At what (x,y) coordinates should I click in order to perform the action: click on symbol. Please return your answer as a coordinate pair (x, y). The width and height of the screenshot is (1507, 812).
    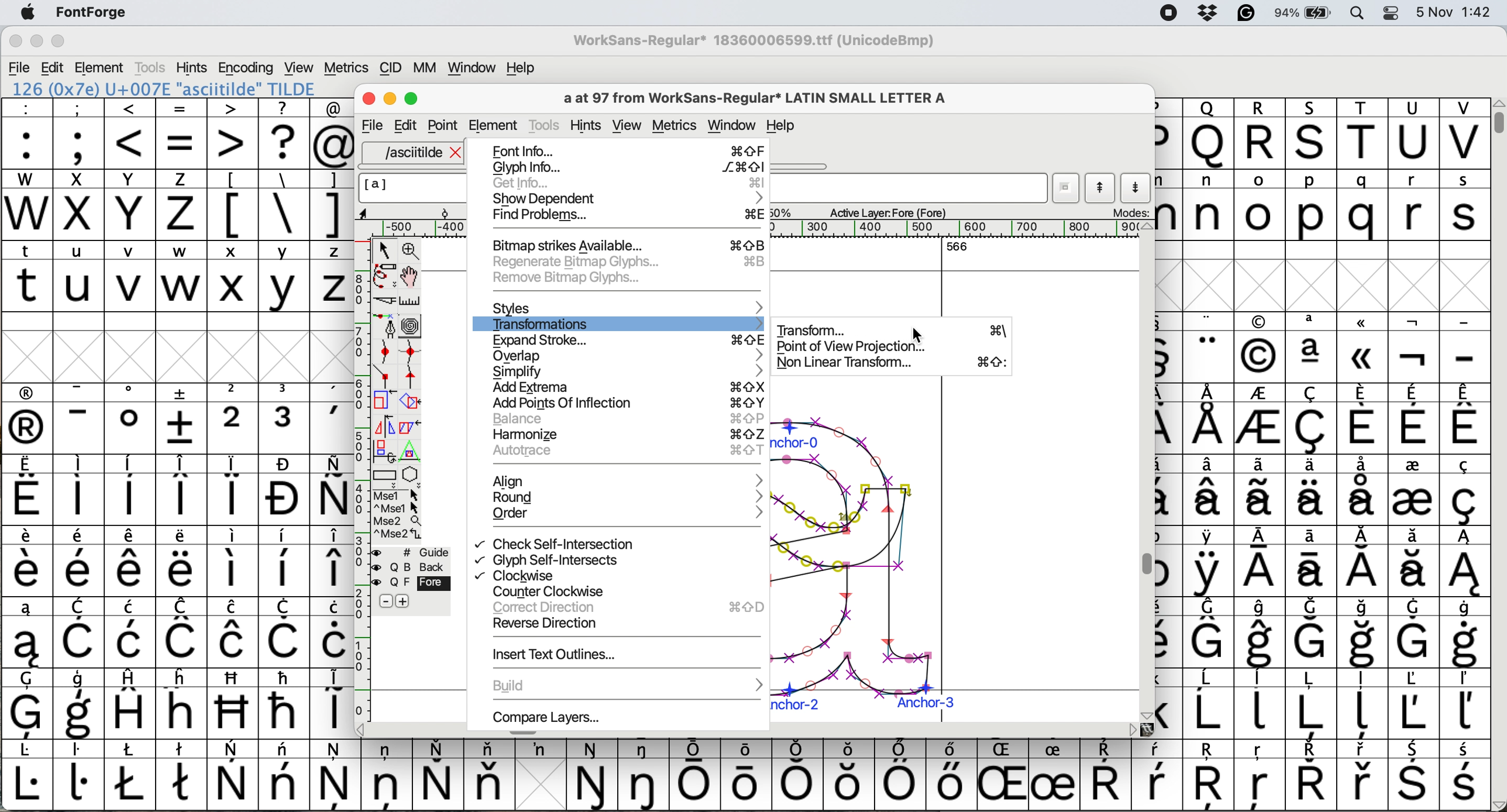
    Looking at the image, I should click on (332, 562).